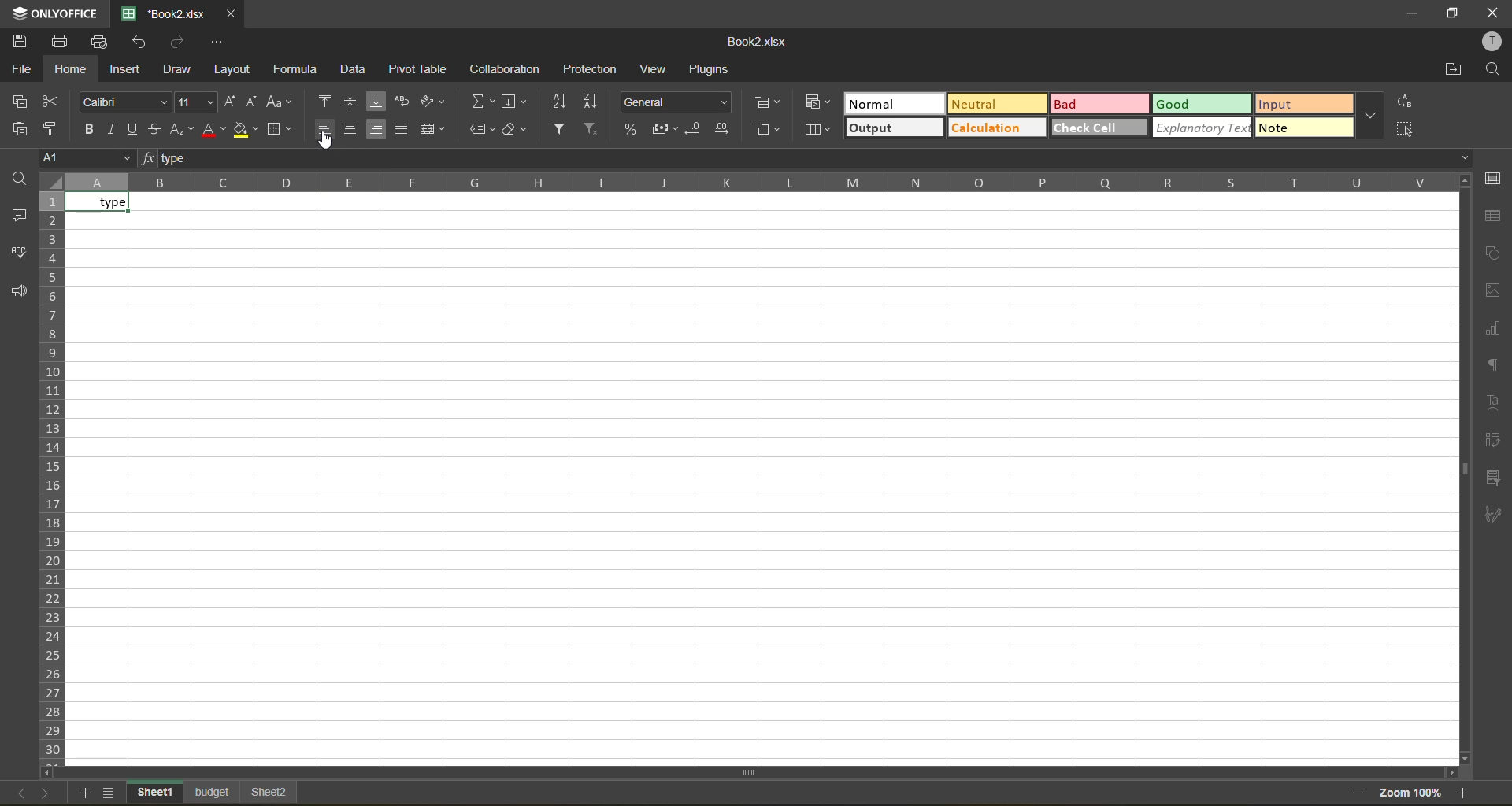  I want to click on normal, so click(894, 105).